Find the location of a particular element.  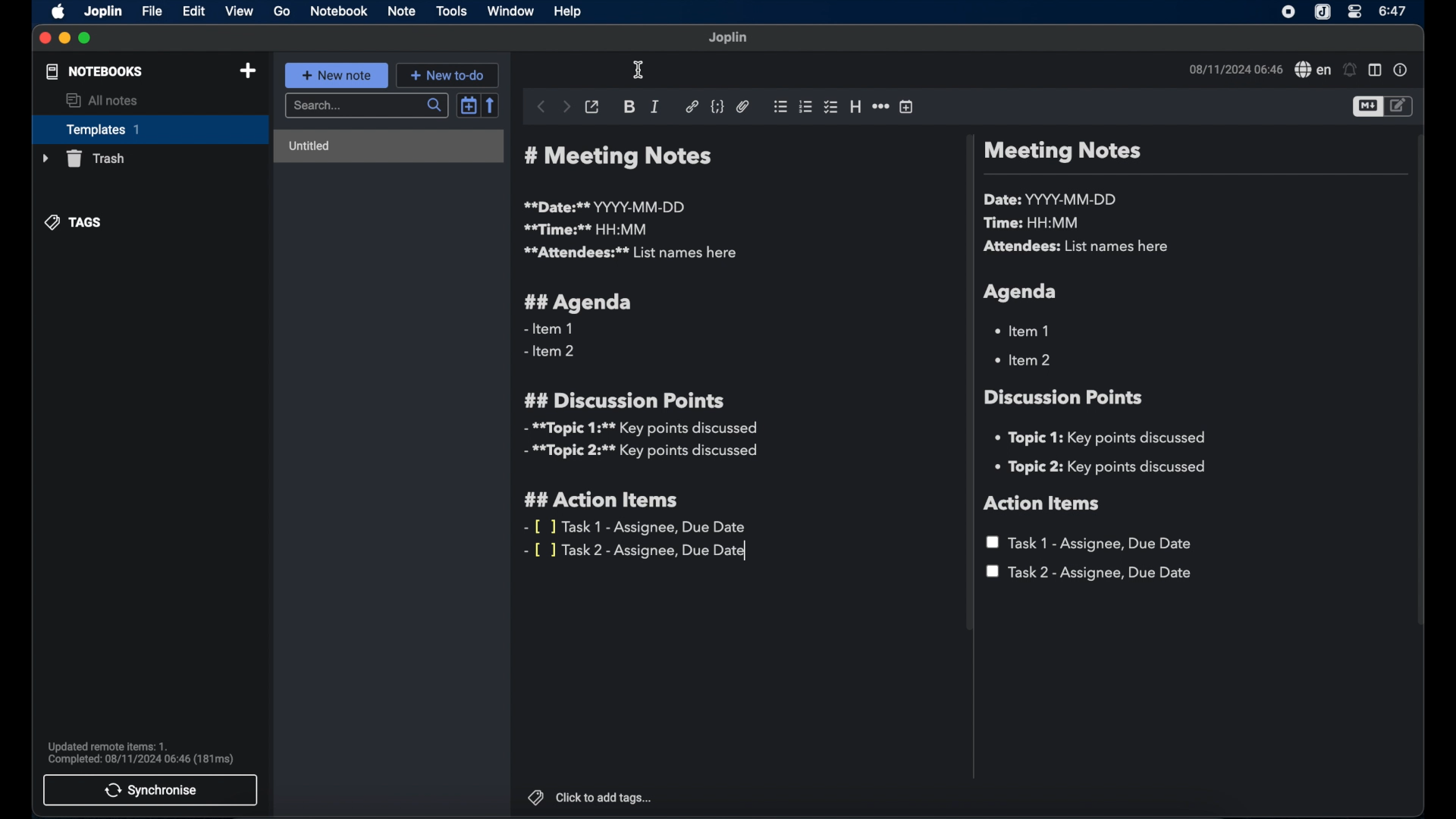

maximize is located at coordinates (86, 38).